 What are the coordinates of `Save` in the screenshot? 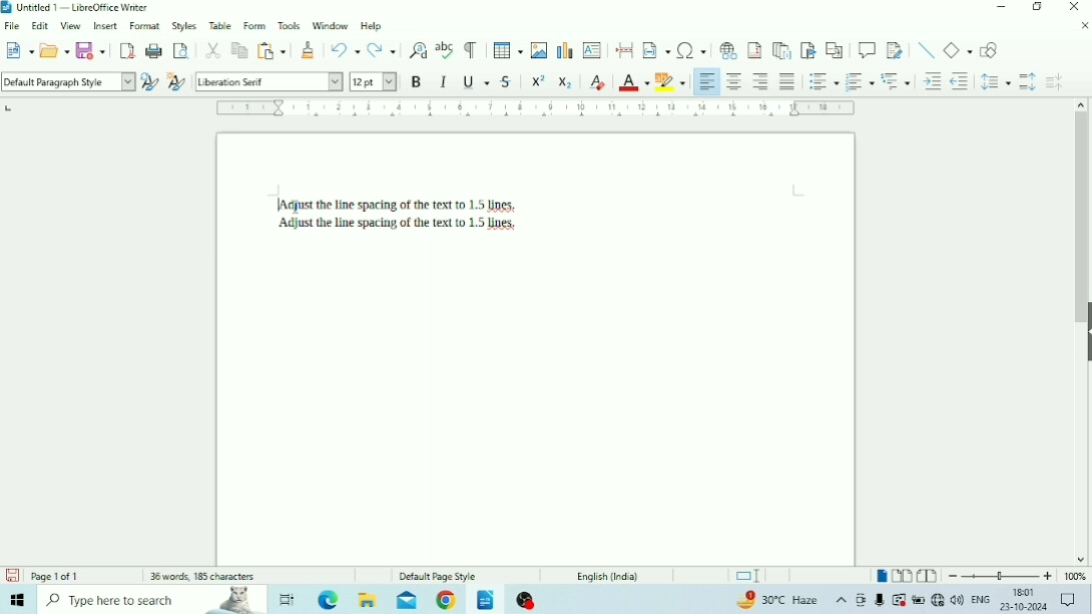 It's located at (92, 51).